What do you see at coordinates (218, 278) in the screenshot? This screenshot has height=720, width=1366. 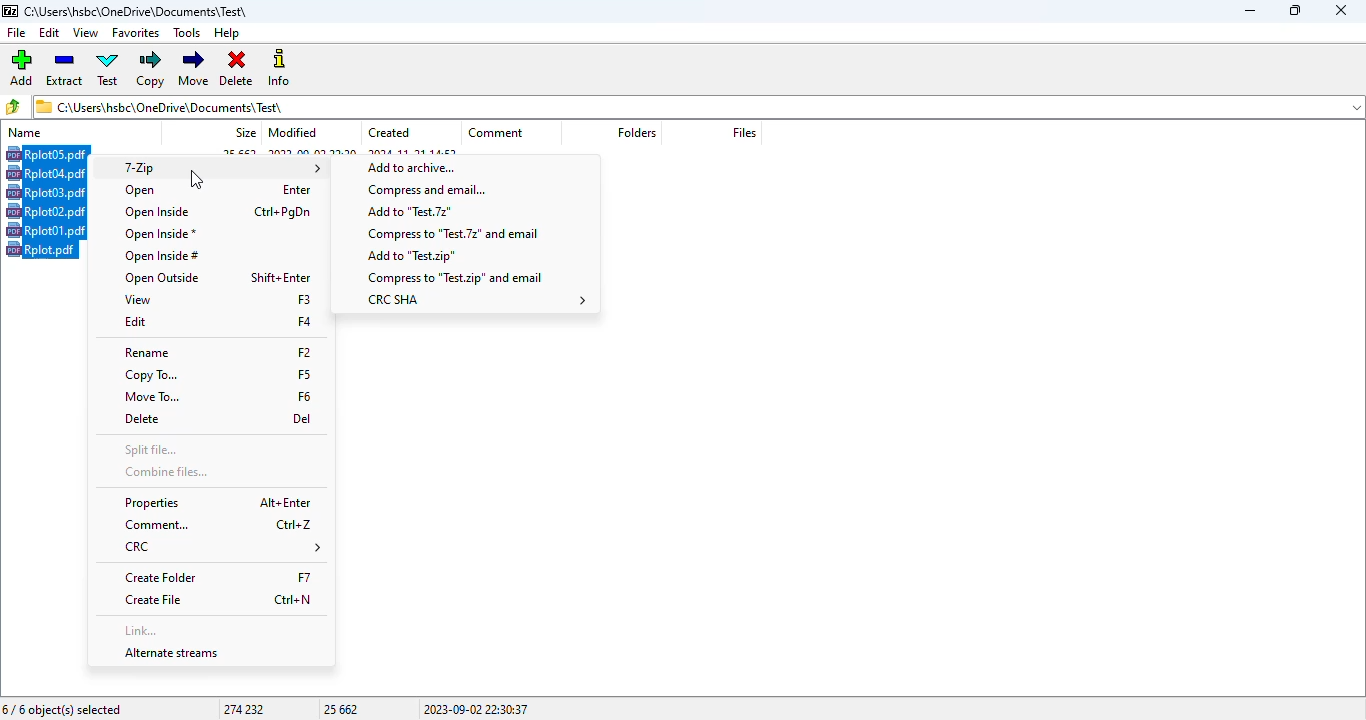 I see `open outside` at bounding box center [218, 278].